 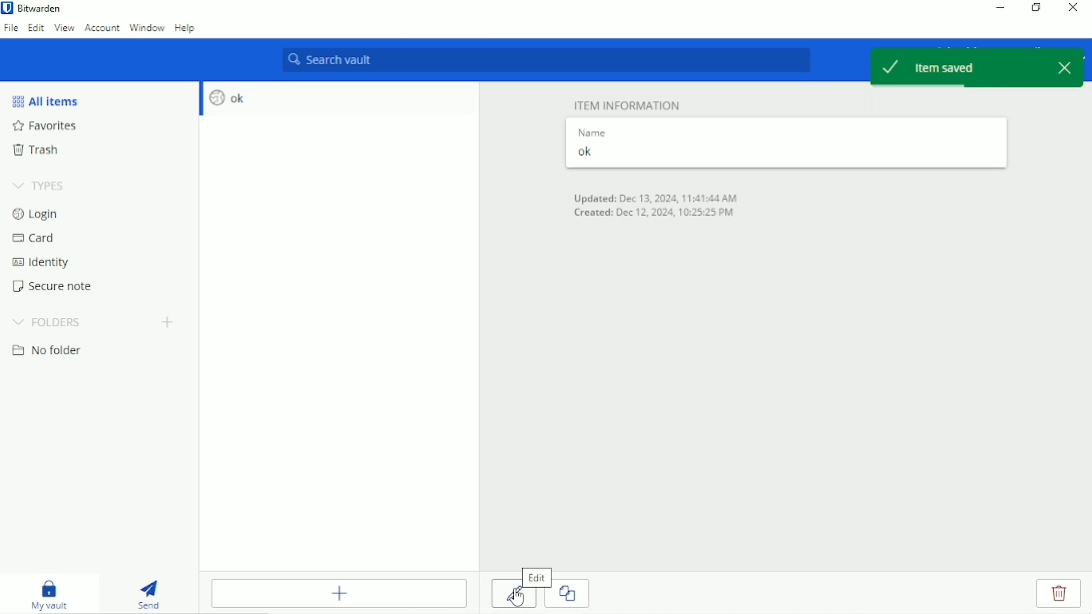 I want to click on Favorites, so click(x=56, y=126).